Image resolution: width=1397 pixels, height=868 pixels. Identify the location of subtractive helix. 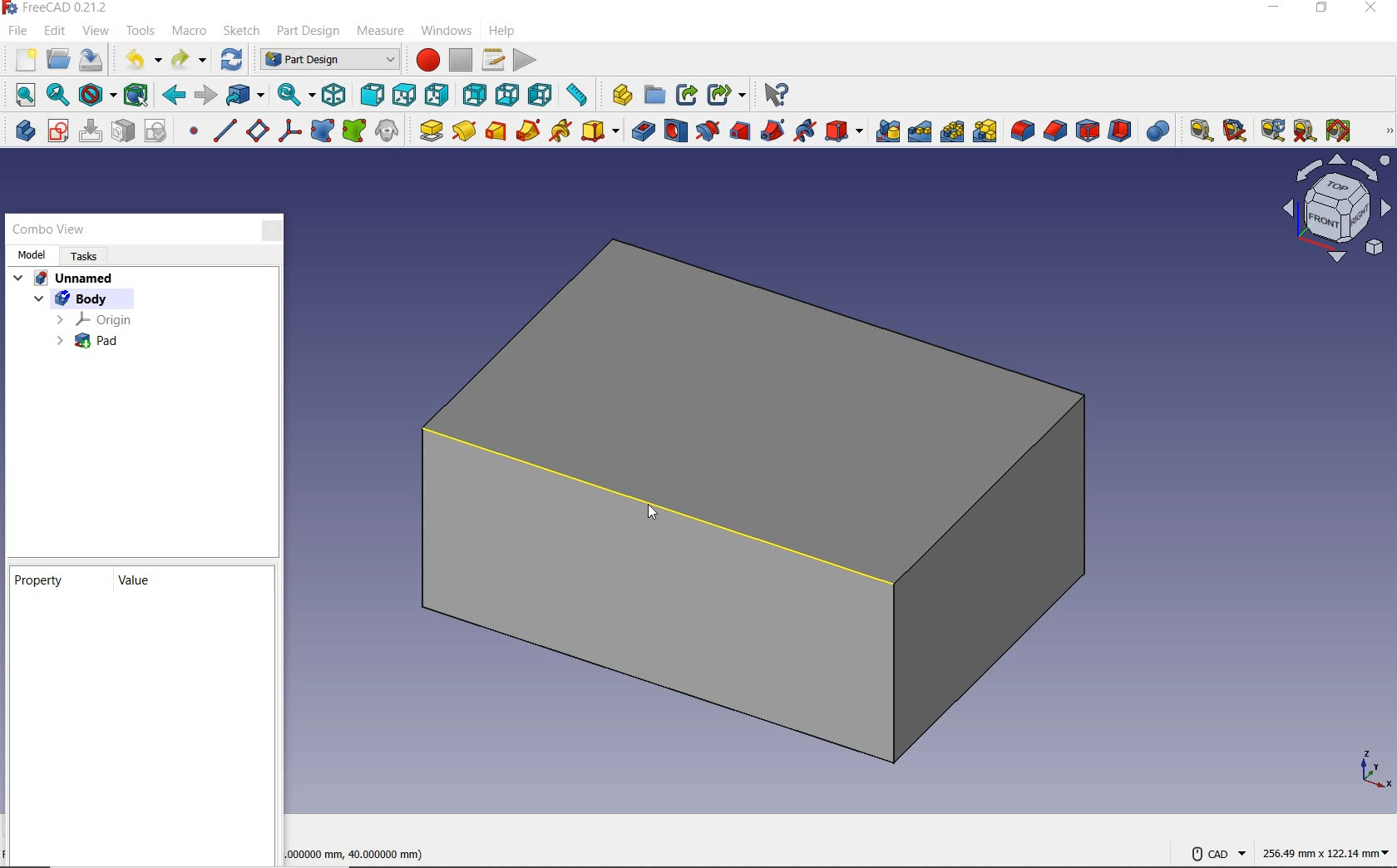
(804, 130).